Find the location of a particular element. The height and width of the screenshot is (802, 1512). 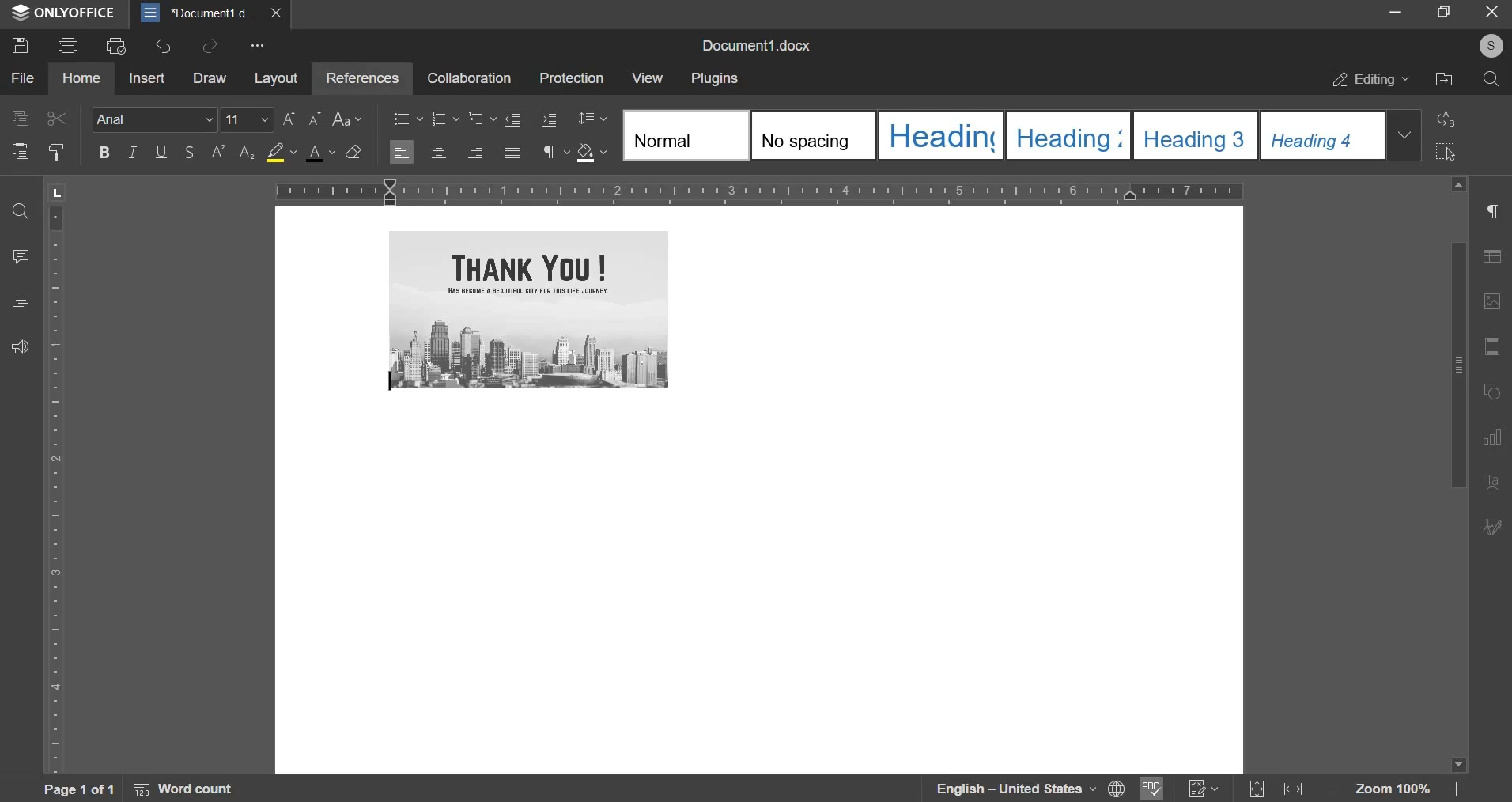

copy is located at coordinates (19, 117).